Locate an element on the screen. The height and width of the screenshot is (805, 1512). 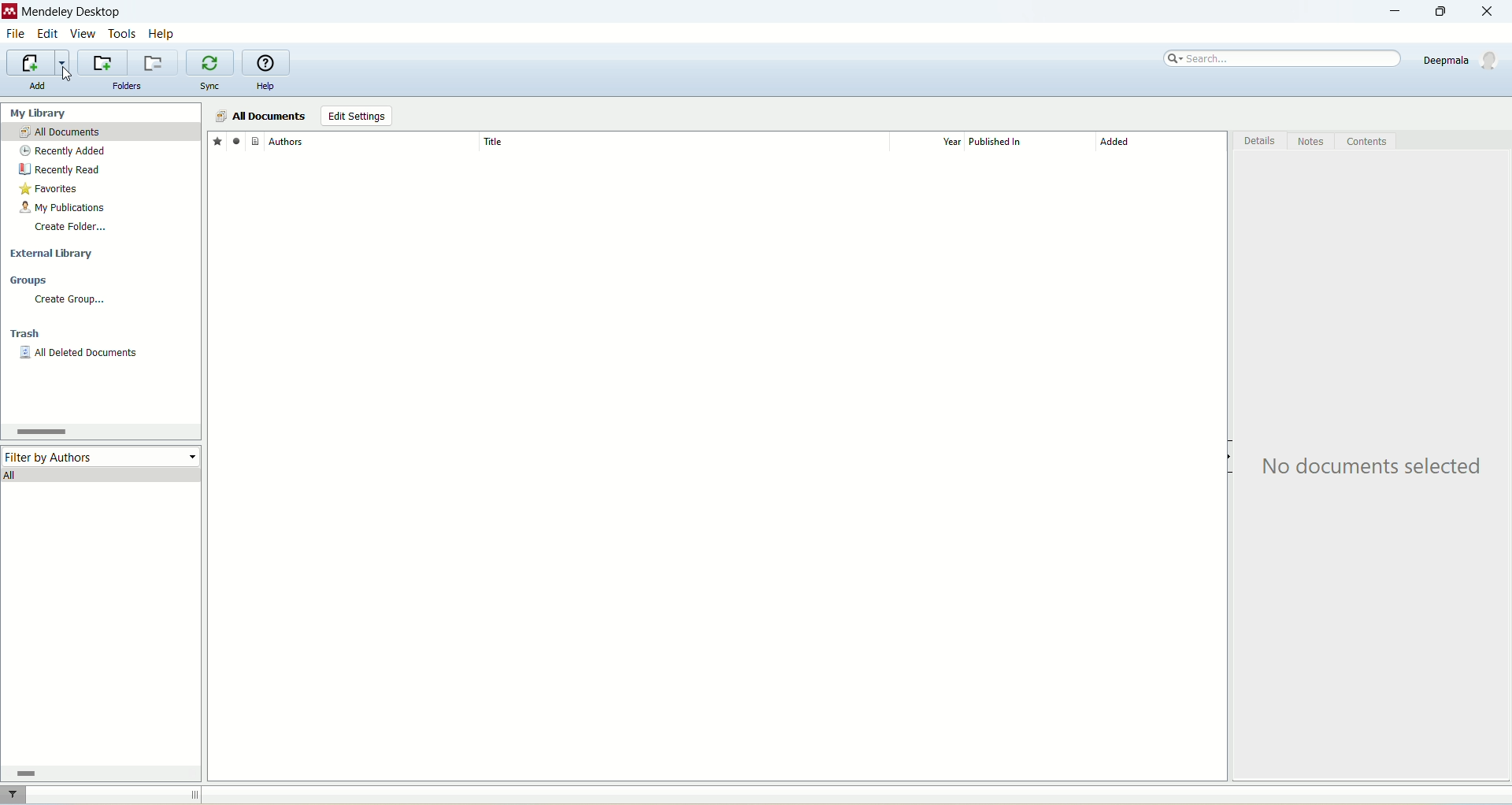
title is located at coordinates (683, 141).